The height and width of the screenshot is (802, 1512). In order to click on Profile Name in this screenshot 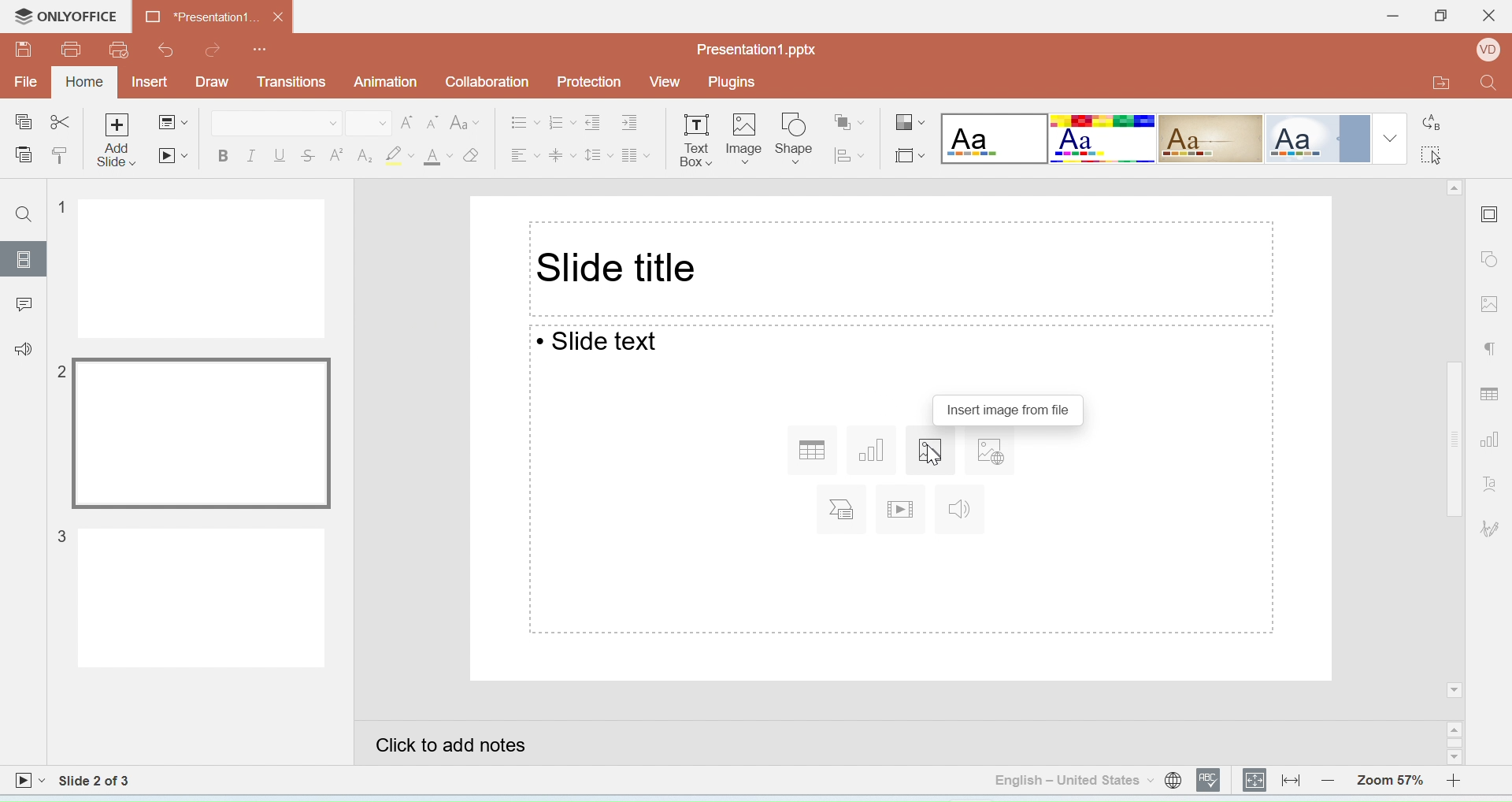, I will do `click(1484, 52)`.